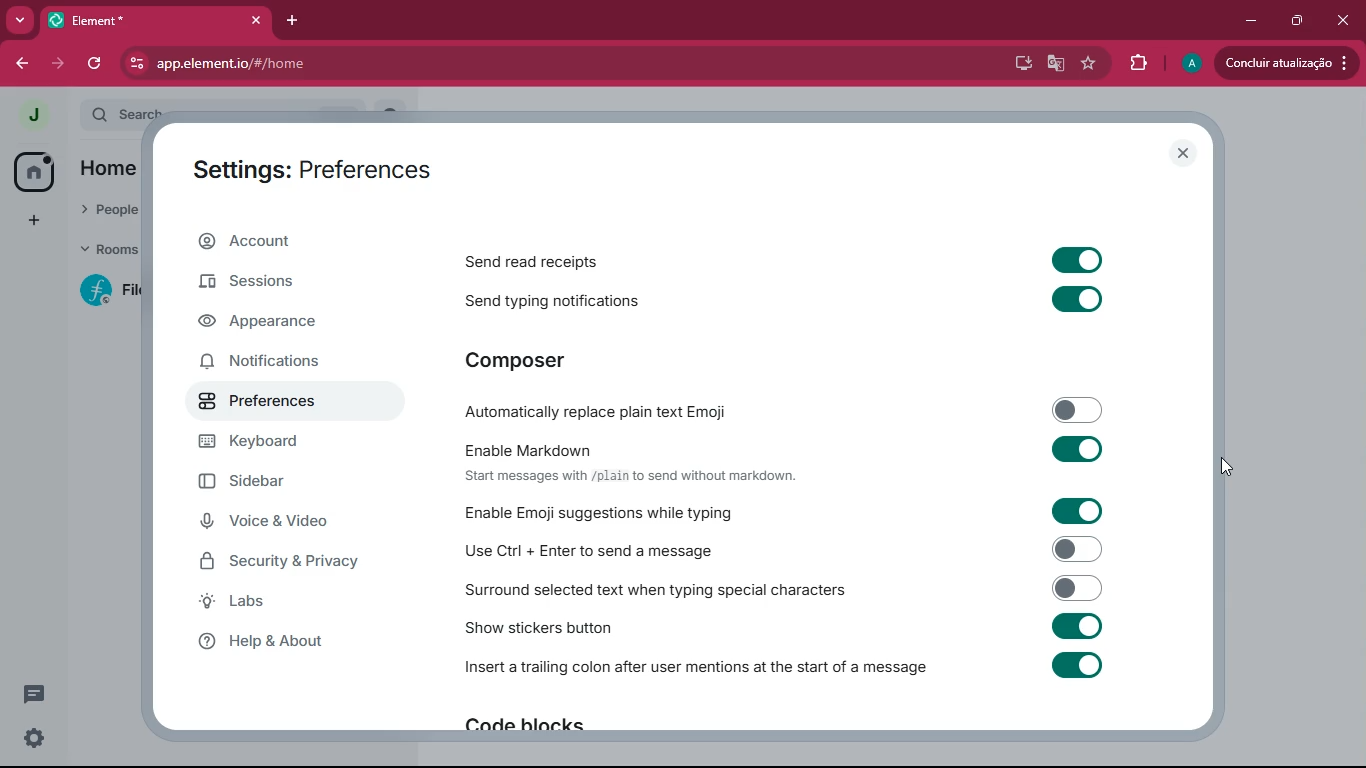 Image resolution: width=1366 pixels, height=768 pixels. I want to click on google translate, so click(1055, 64).